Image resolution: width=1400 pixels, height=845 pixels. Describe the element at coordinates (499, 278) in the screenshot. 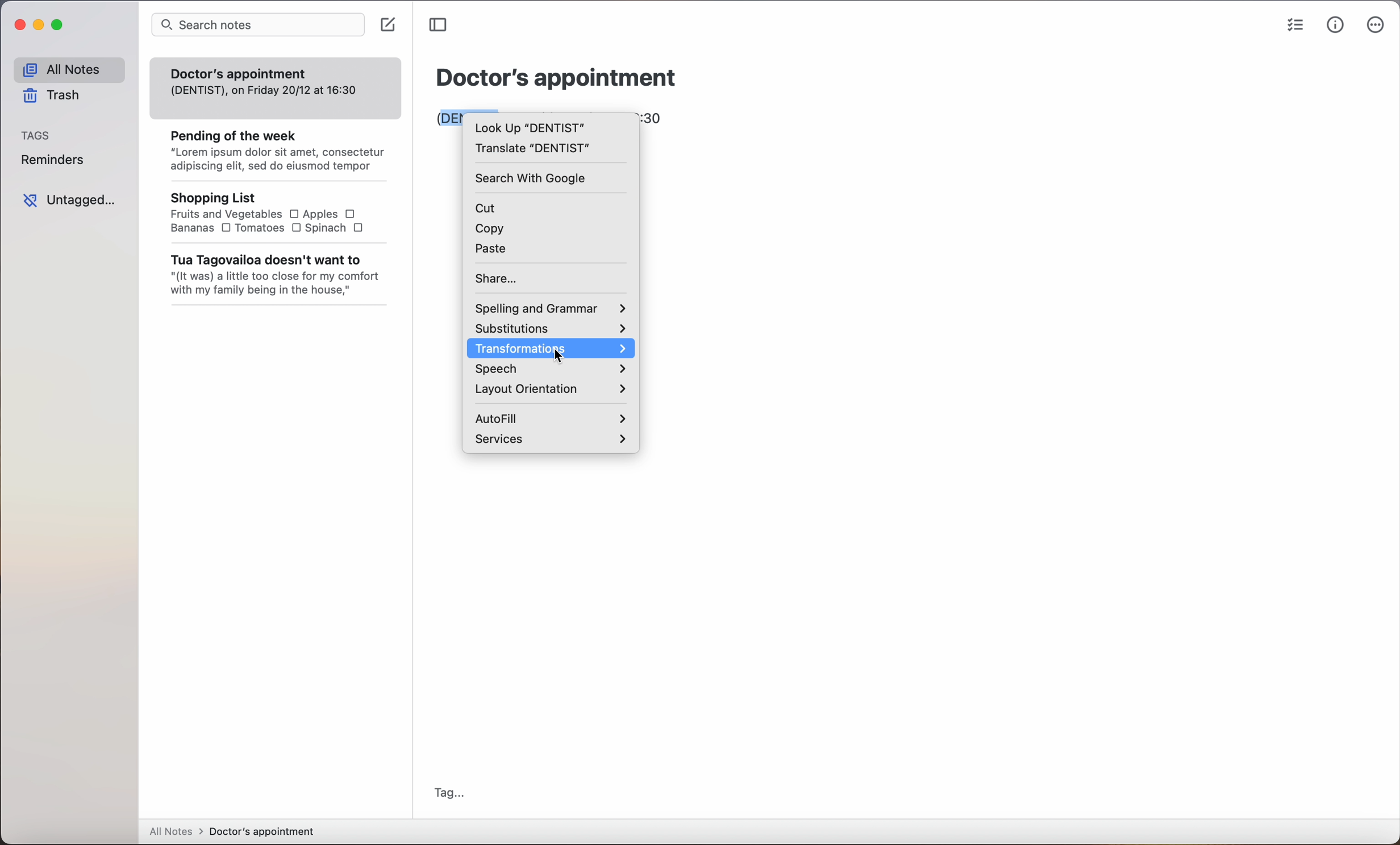

I see `share` at that location.